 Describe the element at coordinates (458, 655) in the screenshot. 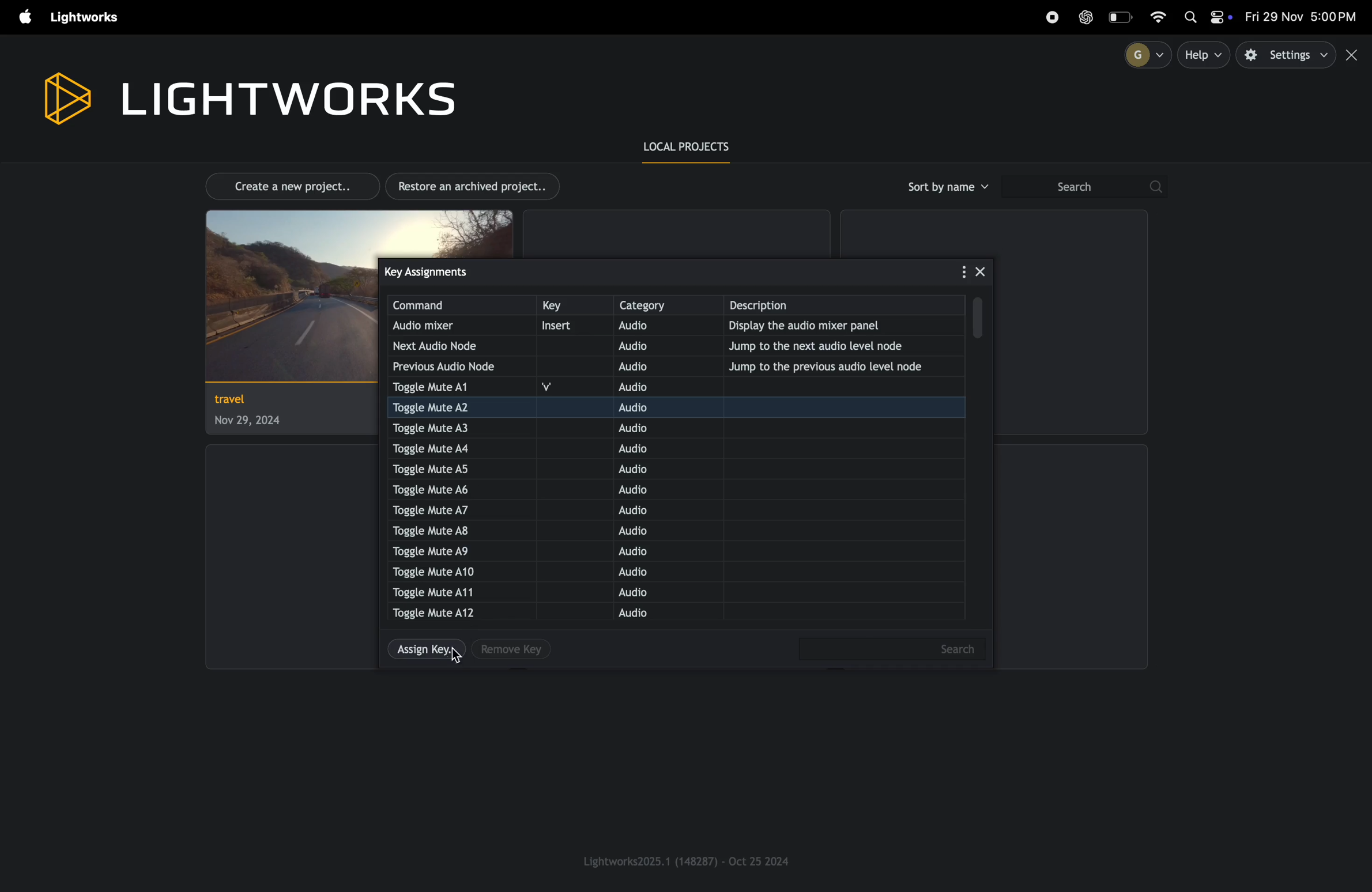

I see `cursor` at that location.